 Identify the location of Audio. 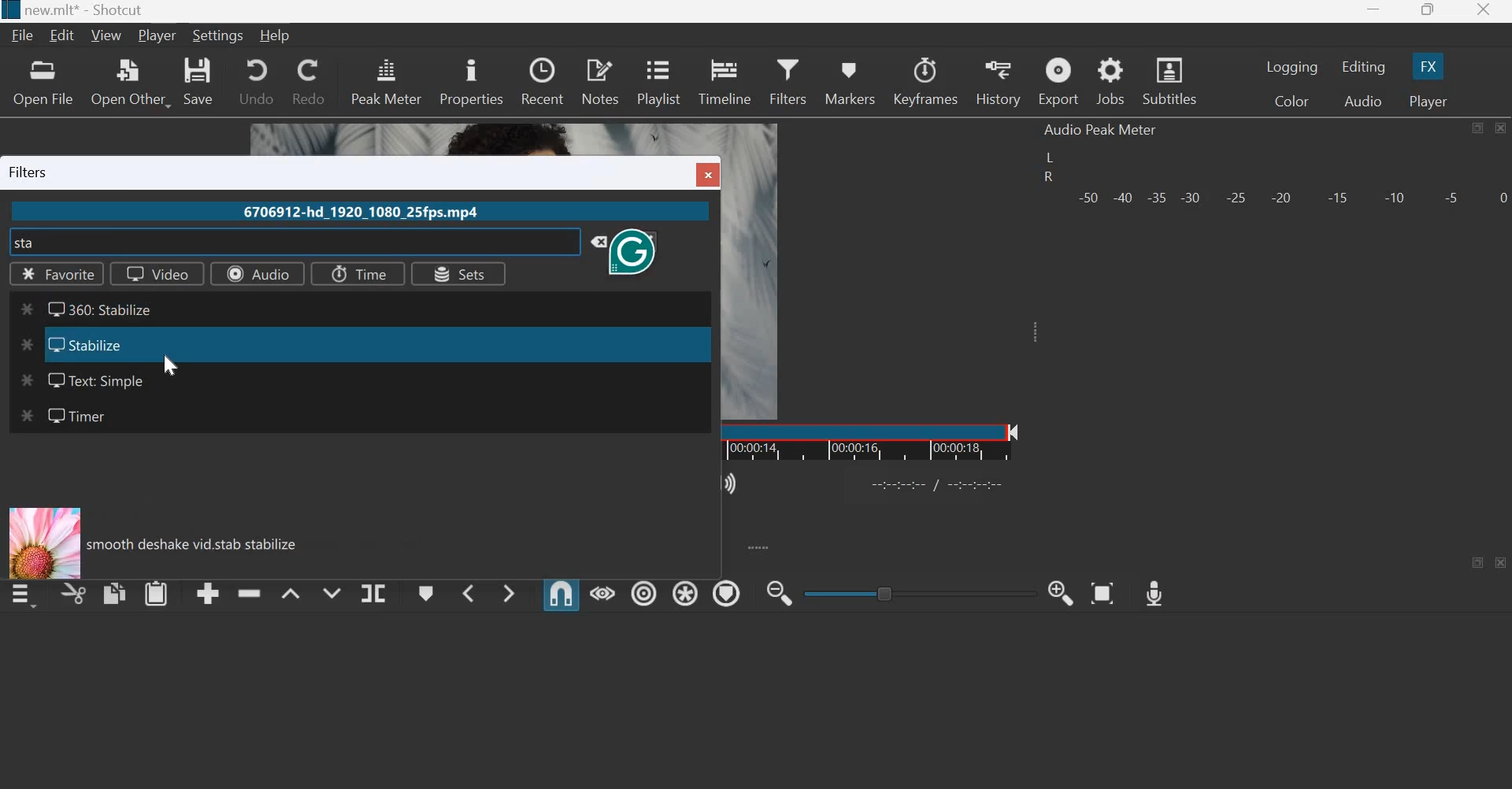
(1364, 100).